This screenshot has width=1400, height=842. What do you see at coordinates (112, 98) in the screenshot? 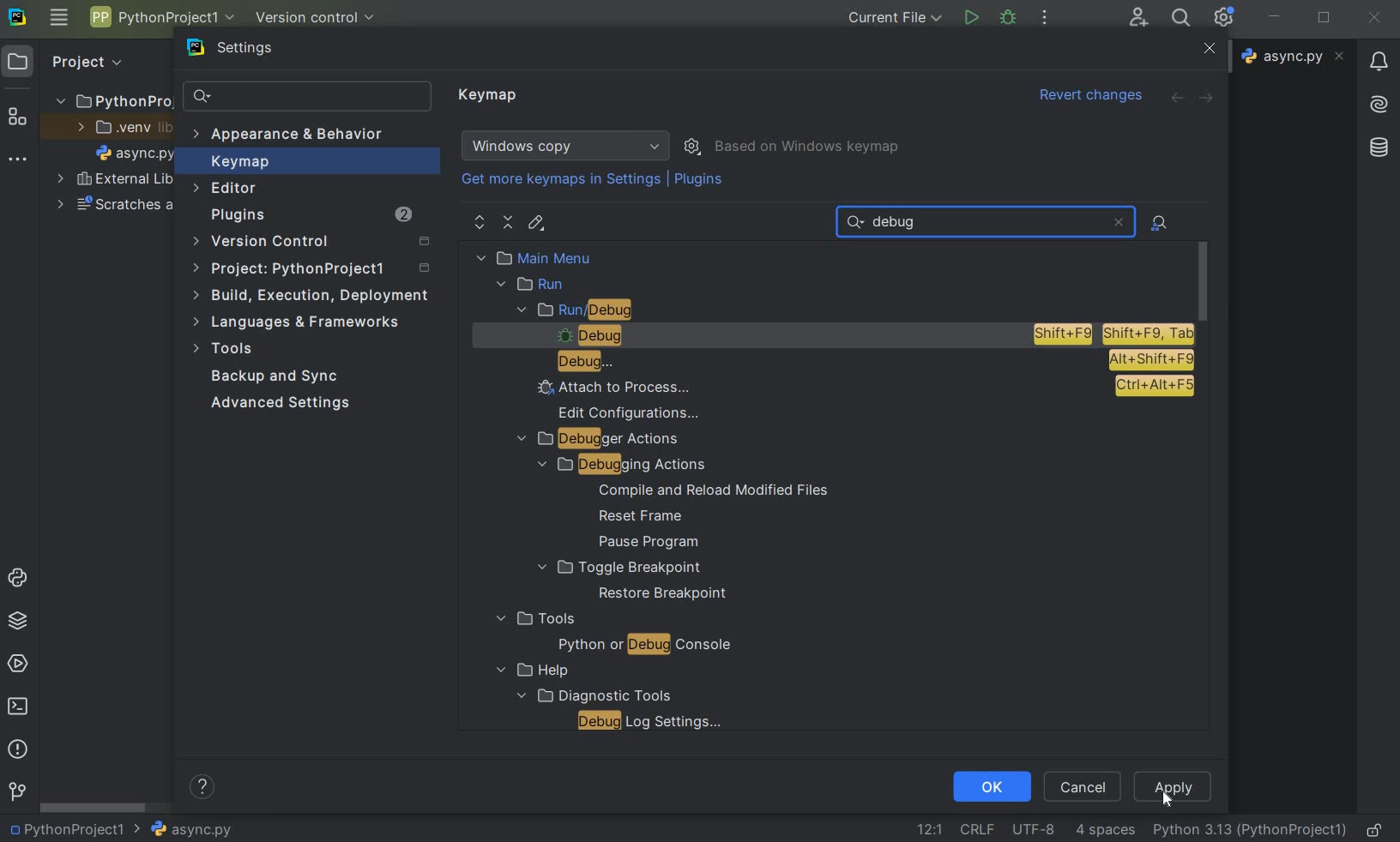
I see `project name` at bounding box center [112, 98].